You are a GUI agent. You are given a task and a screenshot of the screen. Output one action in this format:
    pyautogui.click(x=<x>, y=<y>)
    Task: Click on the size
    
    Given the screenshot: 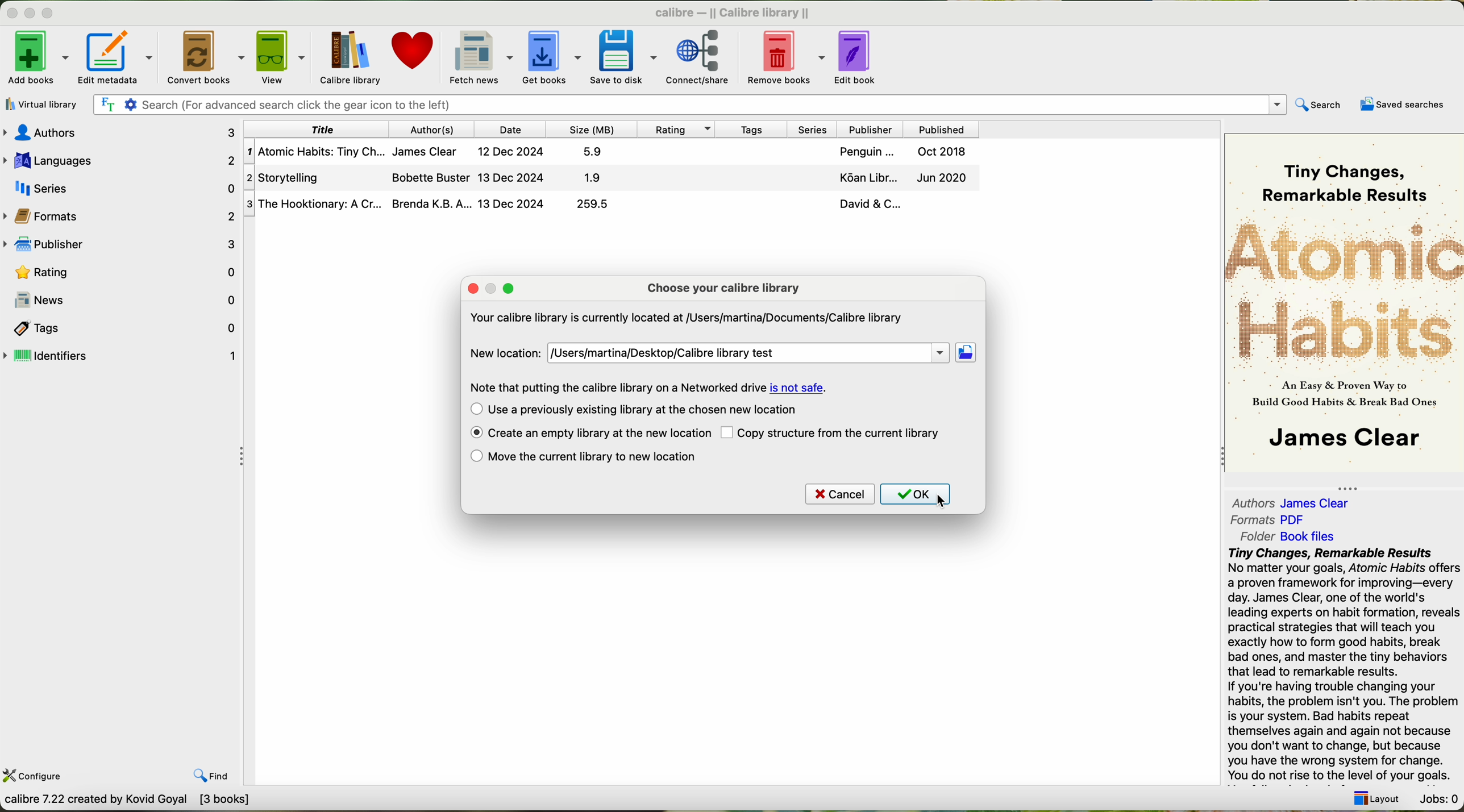 What is the action you would take?
    pyautogui.click(x=590, y=129)
    